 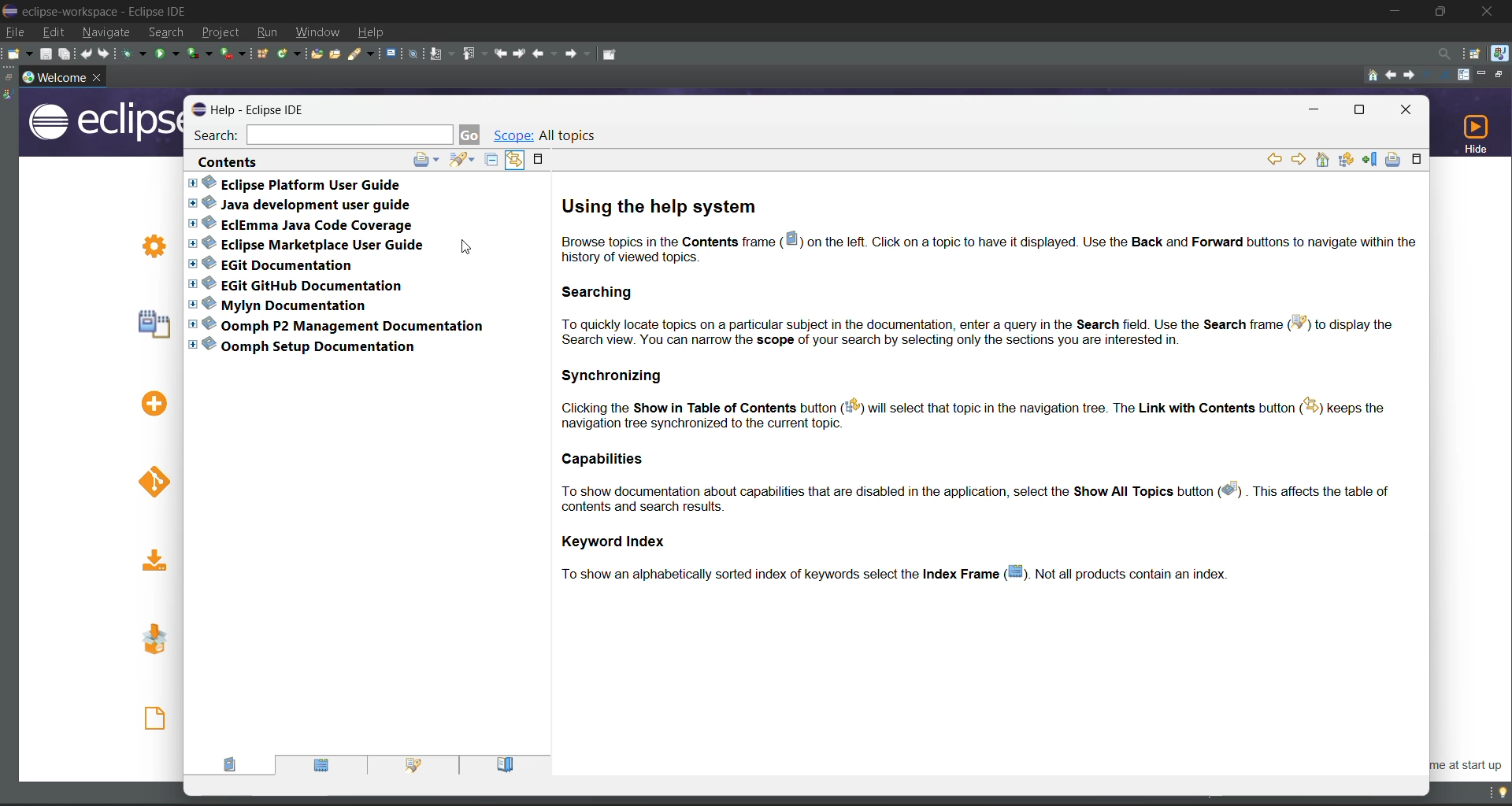 What do you see at coordinates (167, 54) in the screenshot?
I see `run` at bounding box center [167, 54].